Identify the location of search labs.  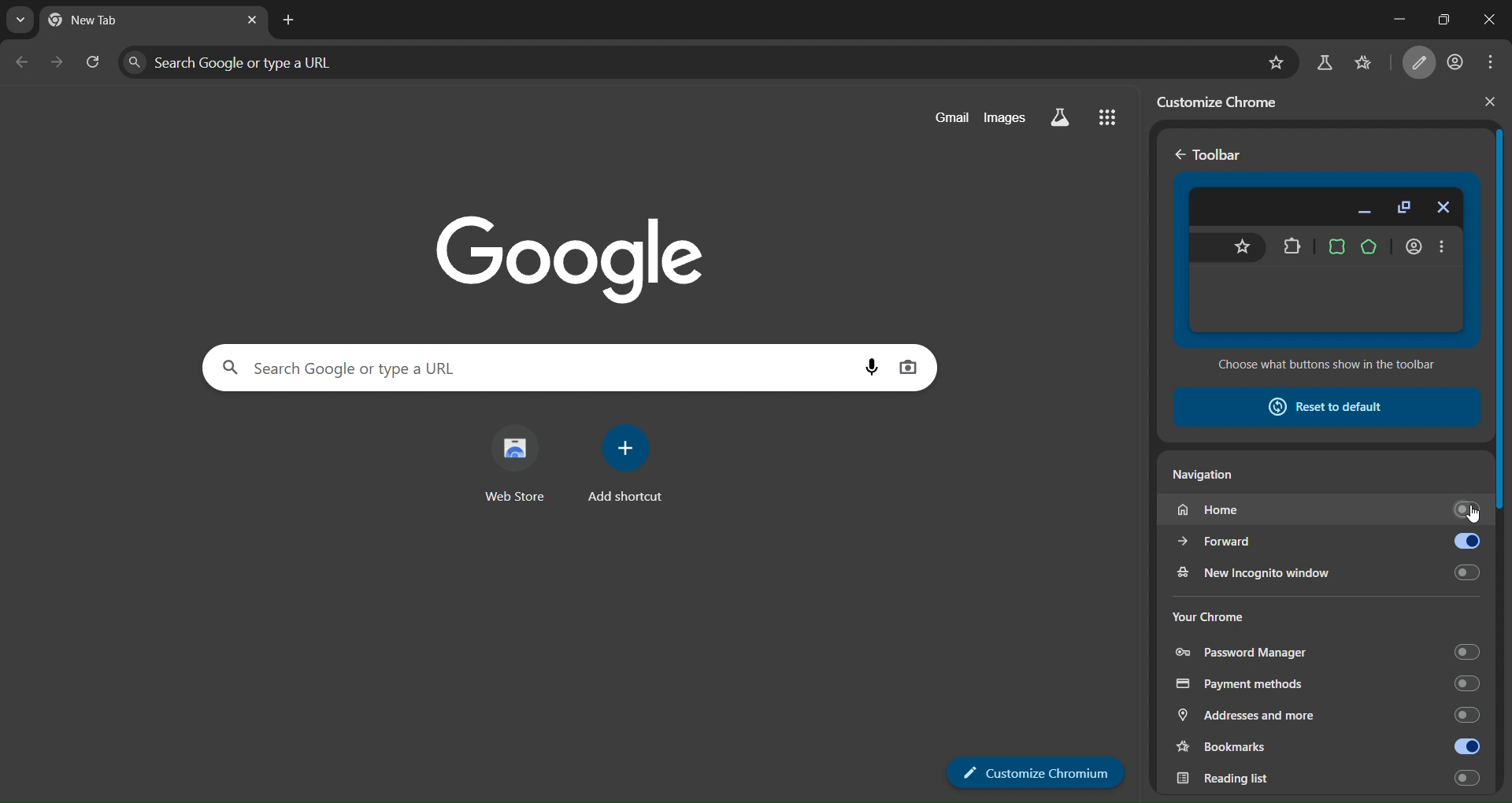
(1324, 63).